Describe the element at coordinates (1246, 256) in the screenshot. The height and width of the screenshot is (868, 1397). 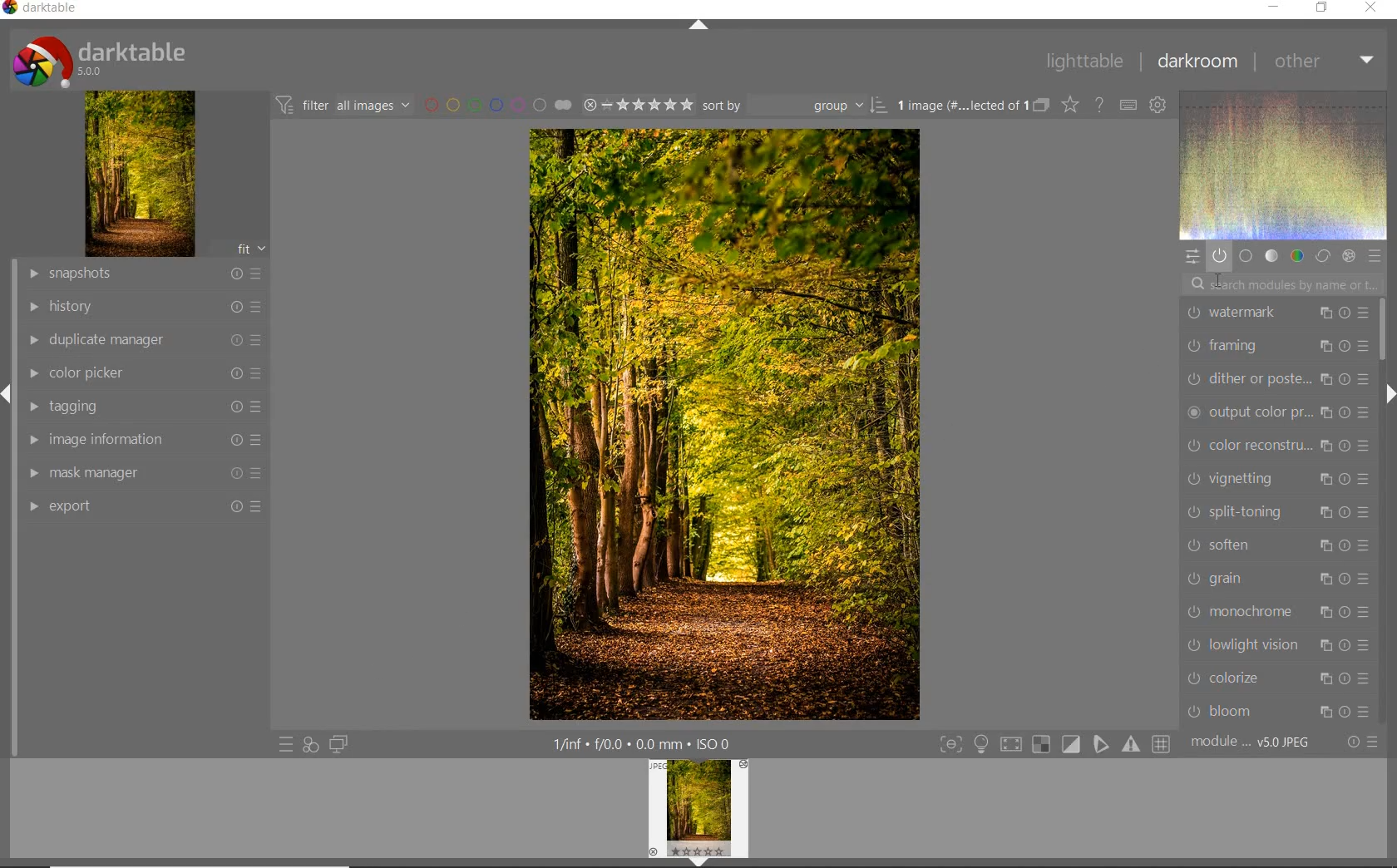
I see `base` at that location.